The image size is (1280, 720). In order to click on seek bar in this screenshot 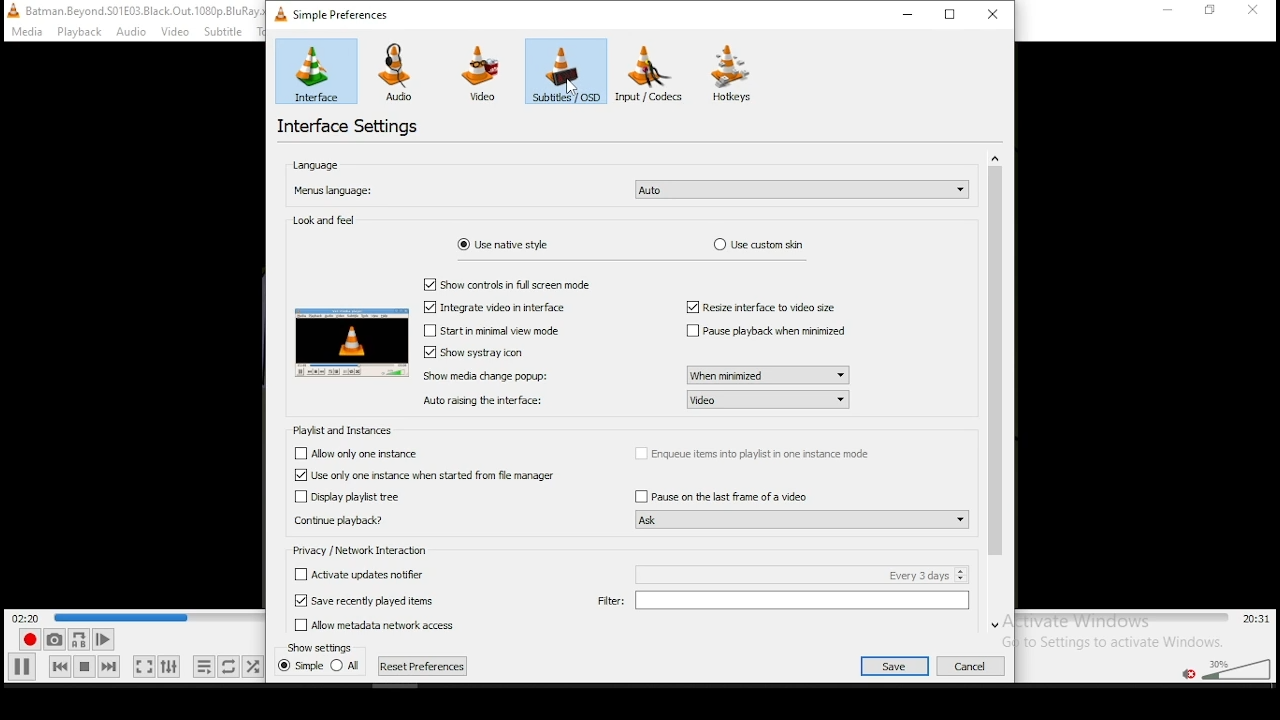, I will do `click(159, 617)`.